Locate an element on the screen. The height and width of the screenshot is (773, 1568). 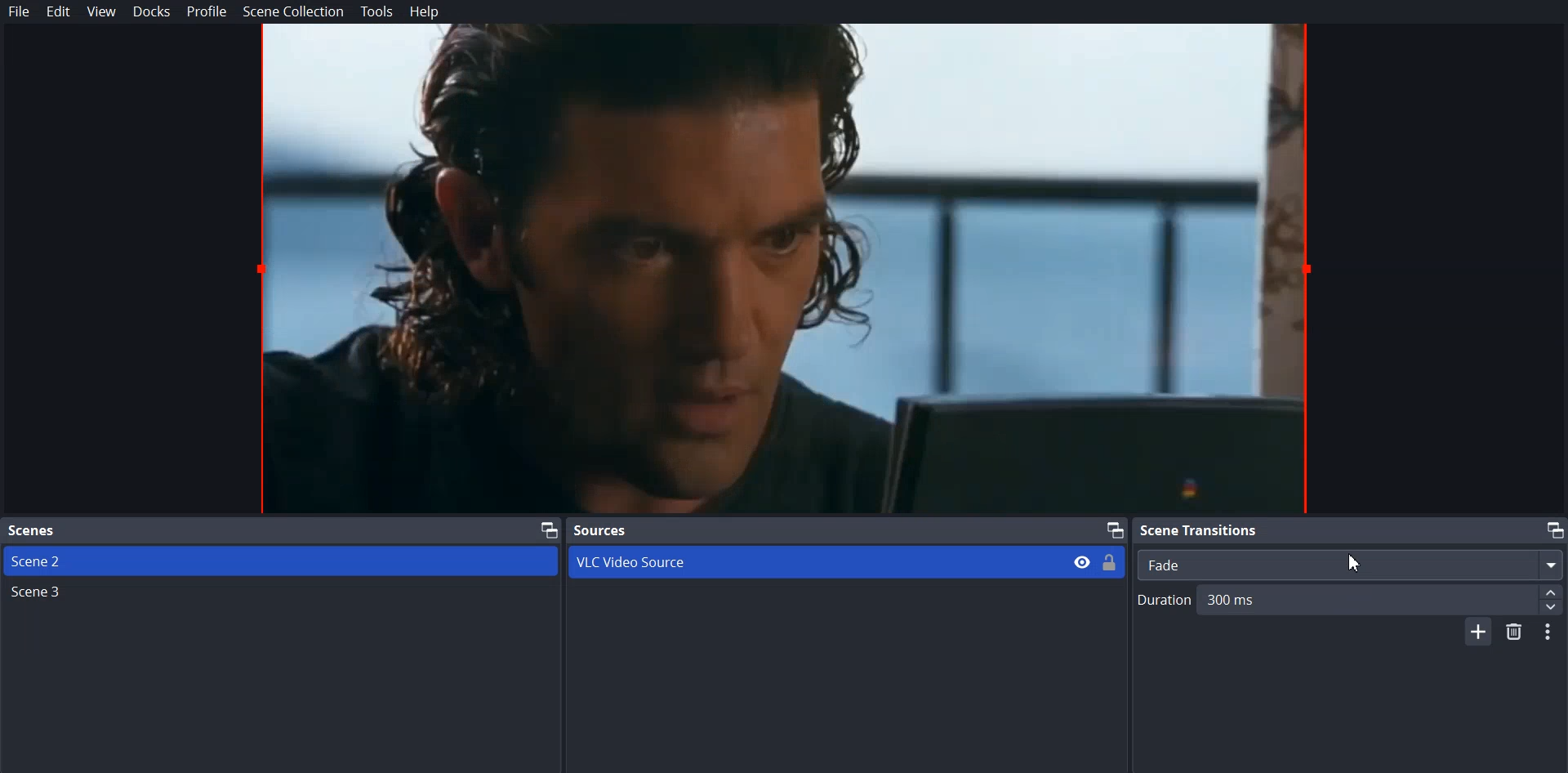
Help is located at coordinates (420, 11).